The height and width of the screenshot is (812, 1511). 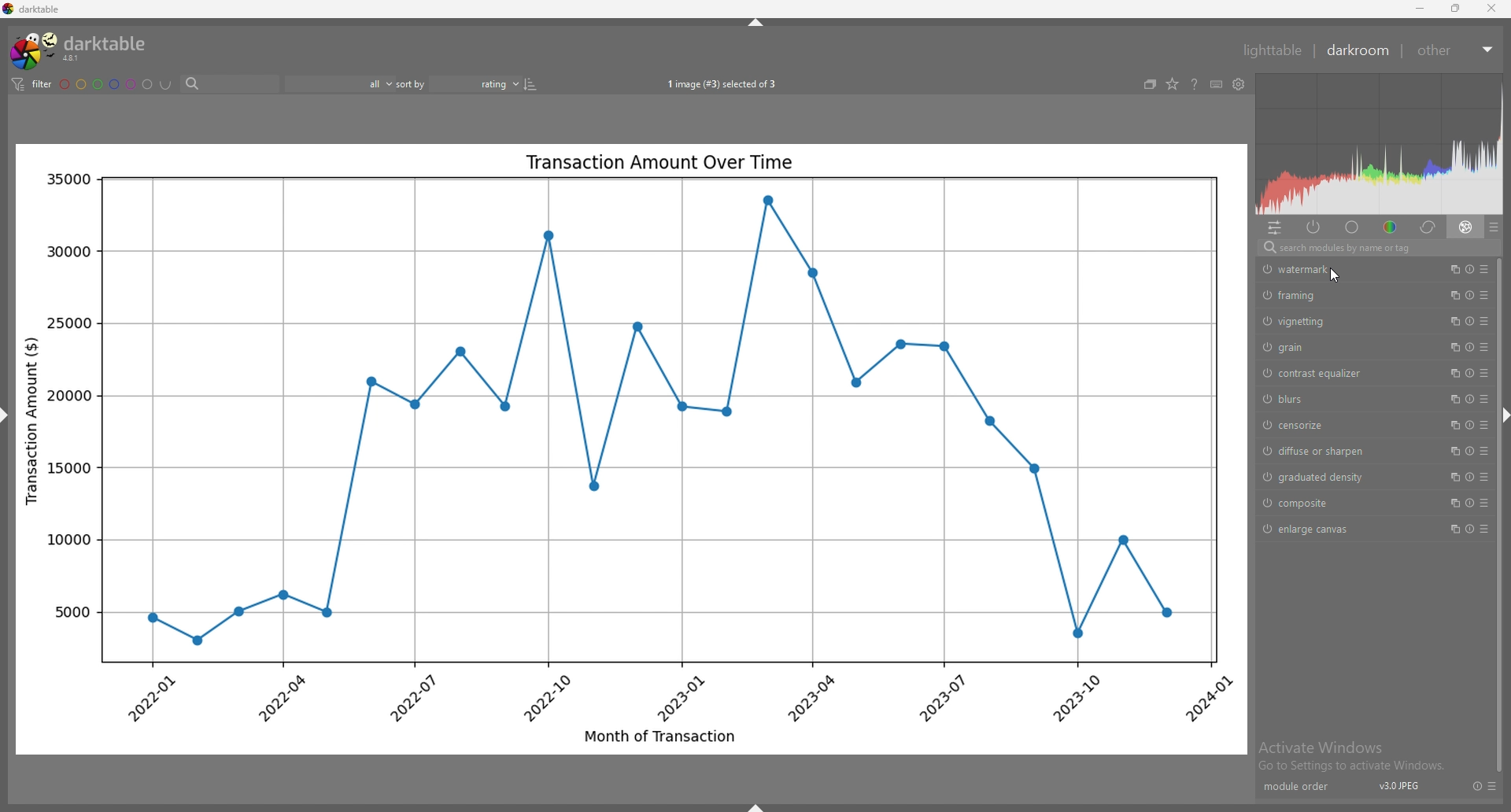 I want to click on presets, so click(x=1484, y=372).